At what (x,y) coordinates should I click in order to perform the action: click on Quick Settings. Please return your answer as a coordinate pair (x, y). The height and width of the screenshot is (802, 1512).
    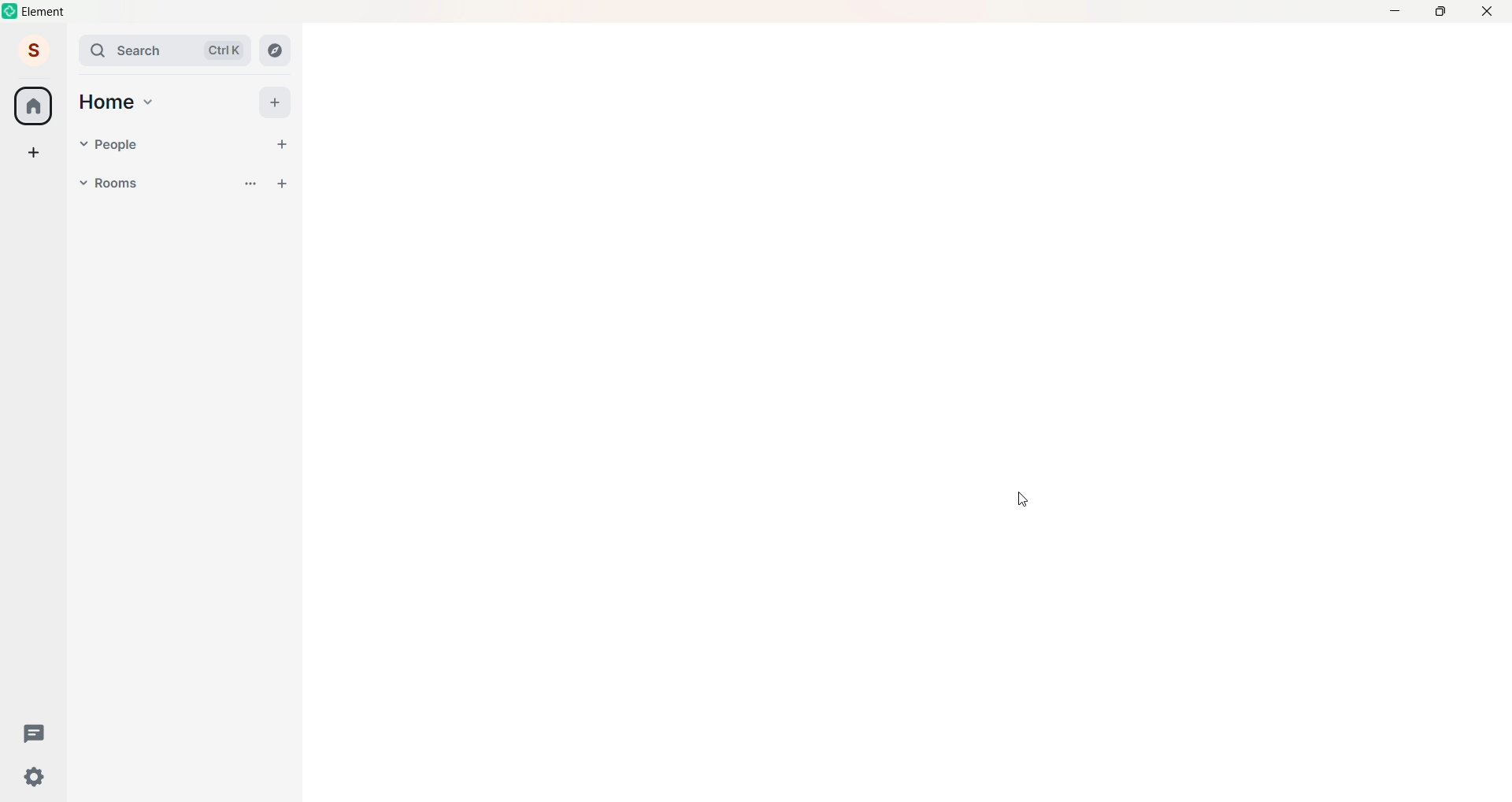
    Looking at the image, I should click on (36, 776).